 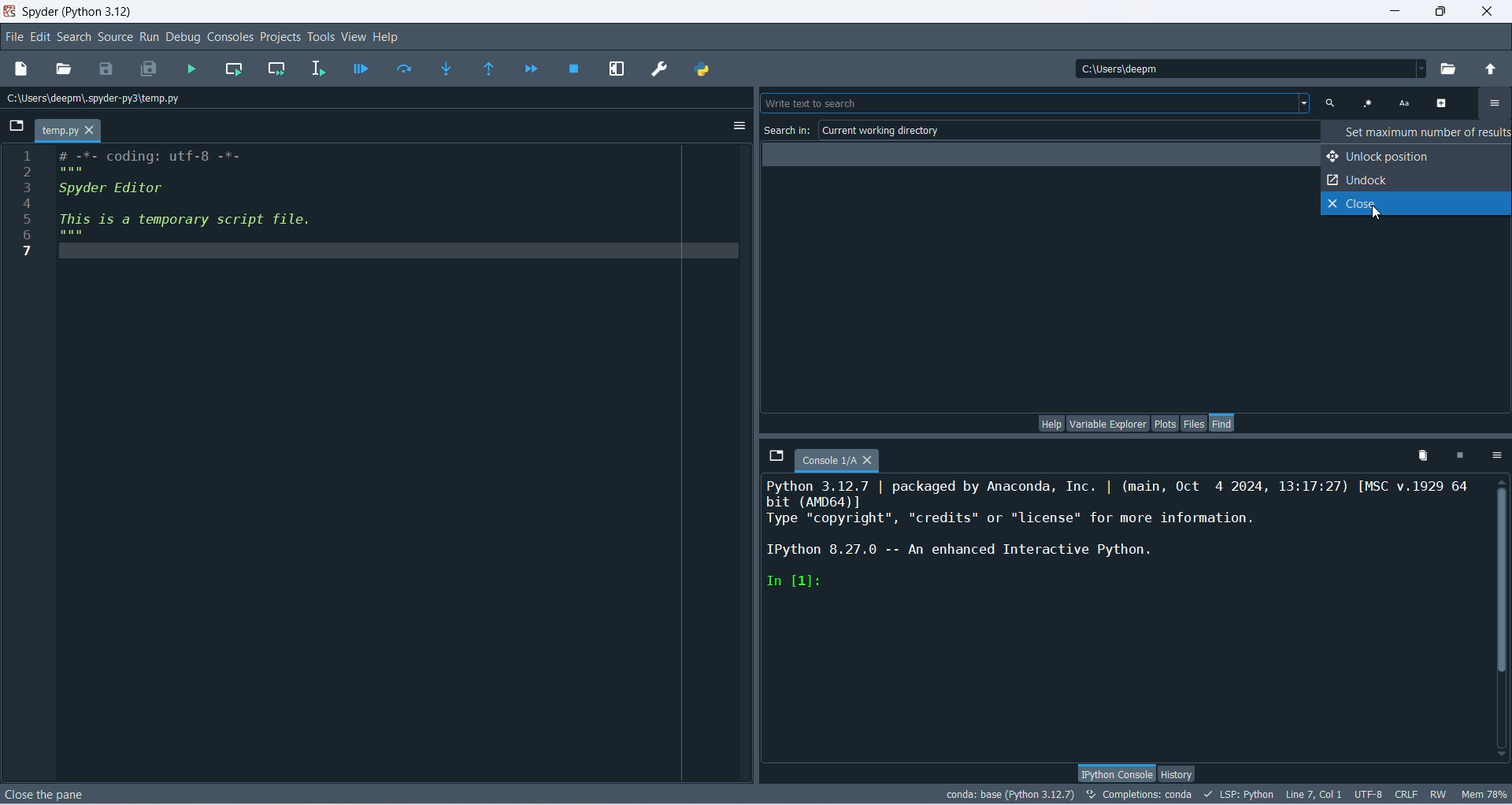 I want to click on ipython console pane text, so click(x=1121, y=538).